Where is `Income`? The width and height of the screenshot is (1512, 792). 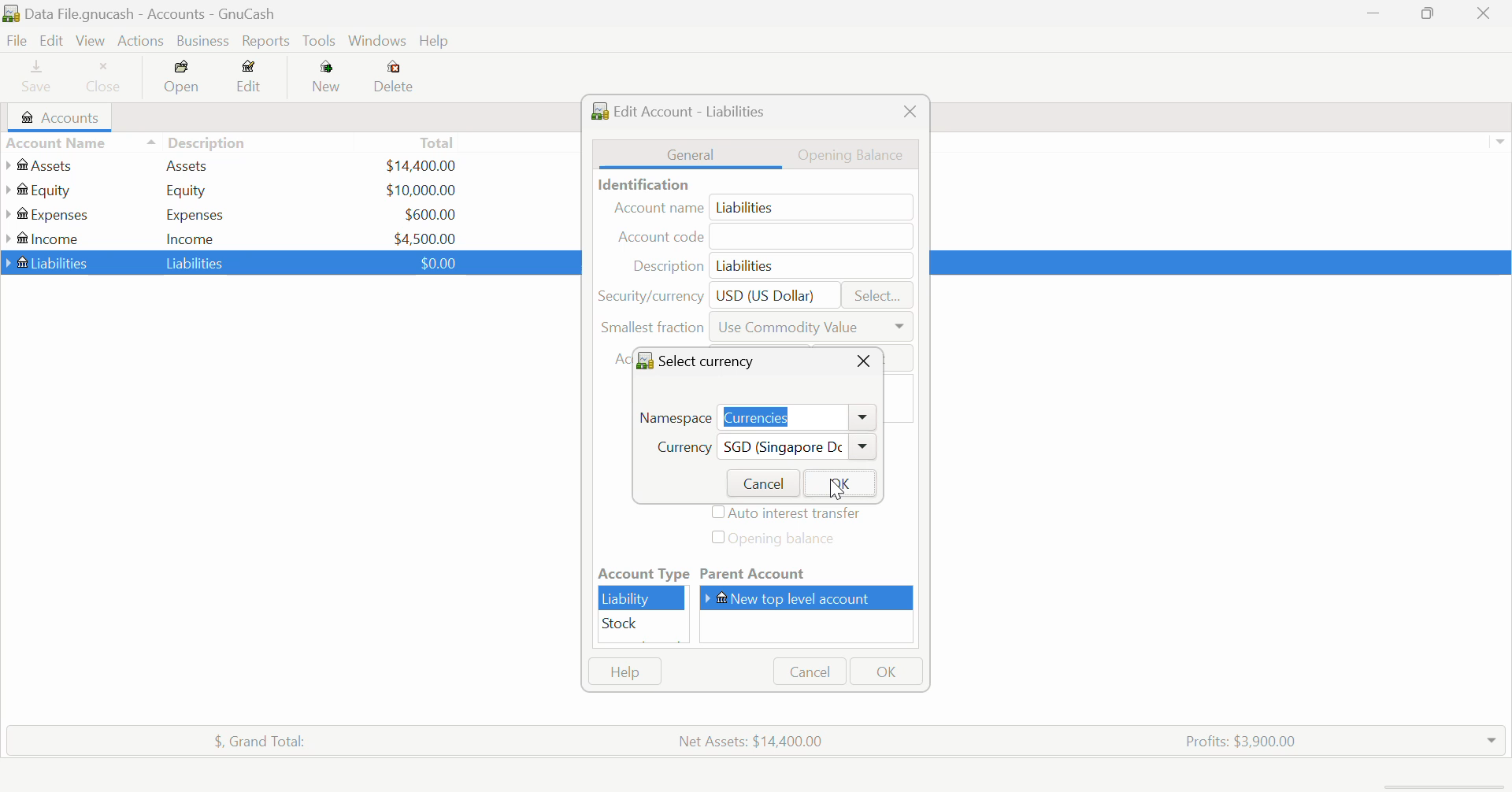 Income is located at coordinates (191, 238).